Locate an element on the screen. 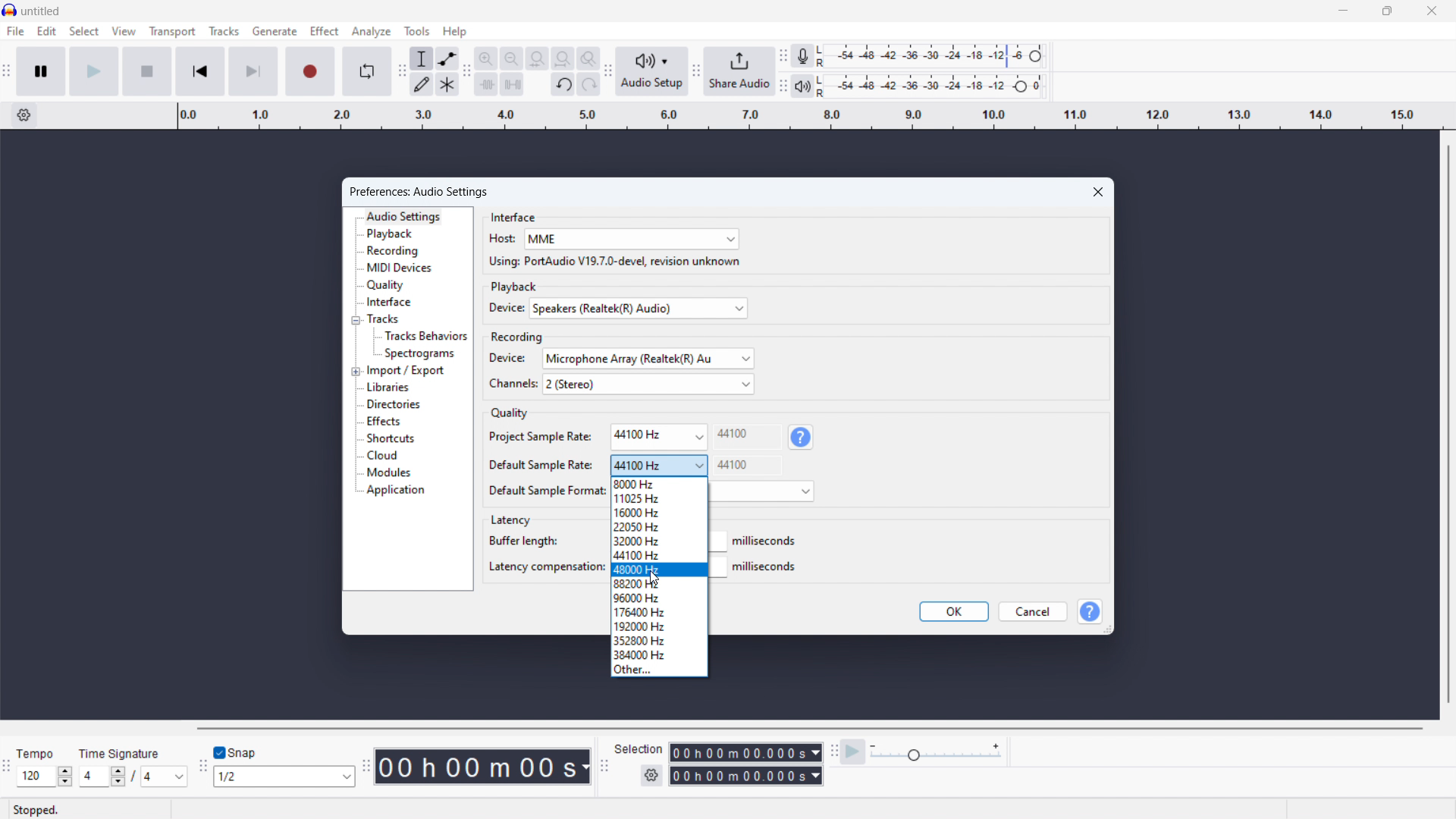  recording level is located at coordinates (936, 57).